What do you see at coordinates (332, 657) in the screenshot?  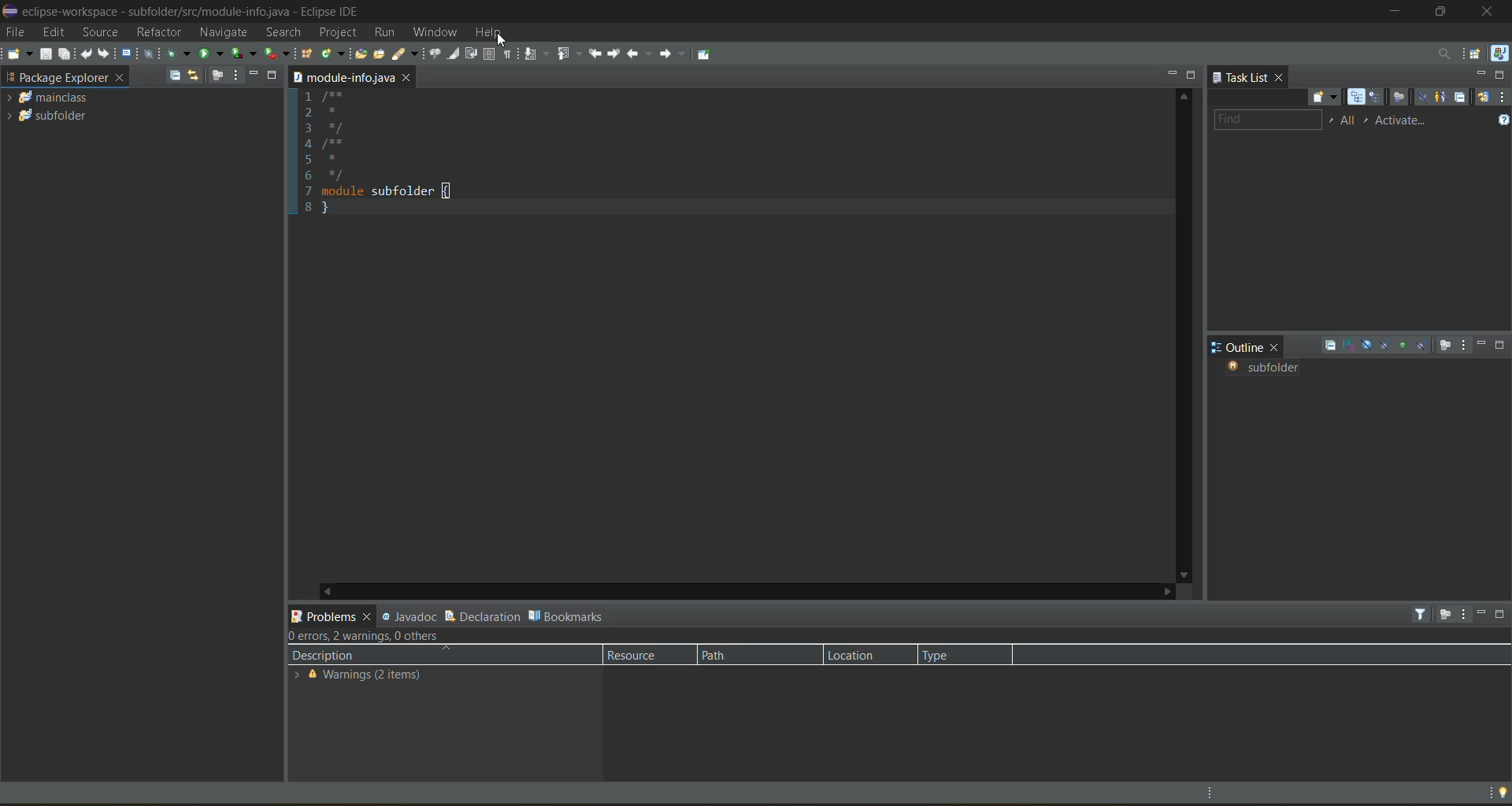 I see `description` at bounding box center [332, 657].